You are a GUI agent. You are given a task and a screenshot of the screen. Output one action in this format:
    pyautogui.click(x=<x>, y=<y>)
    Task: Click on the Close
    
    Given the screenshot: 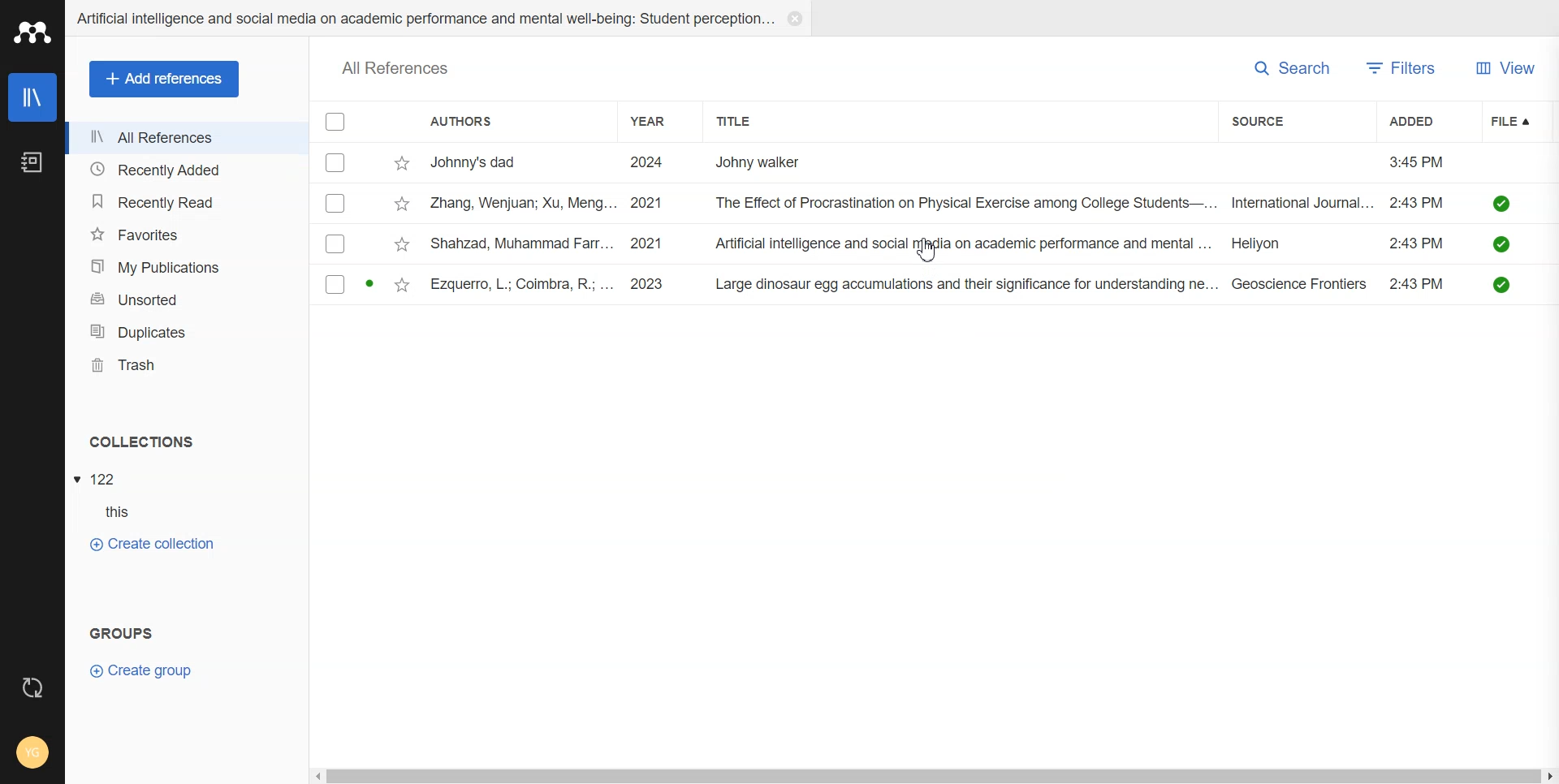 What is the action you would take?
    pyautogui.click(x=794, y=19)
    